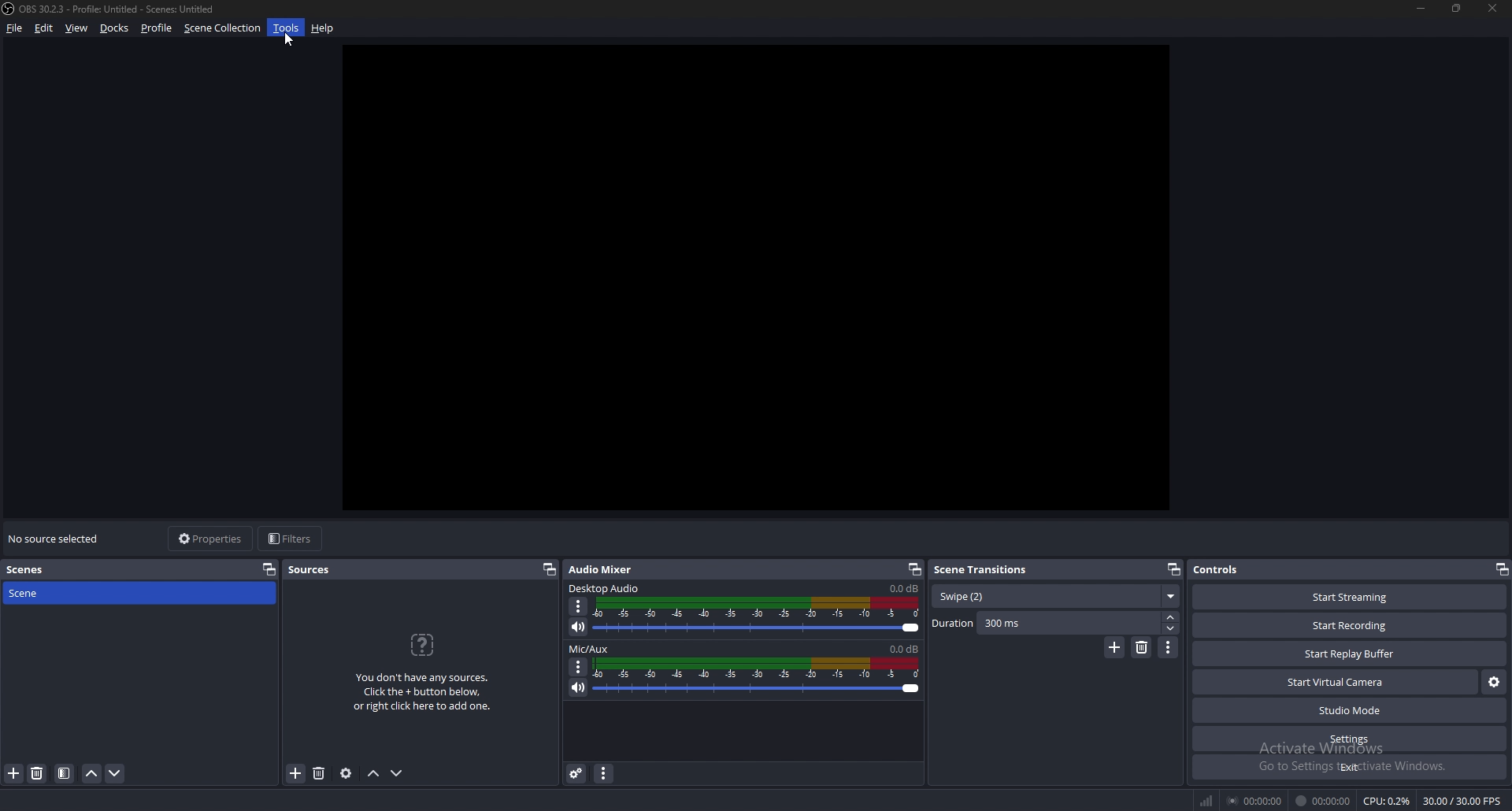 The width and height of the screenshot is (1512, 811). I want to click on resize, so click(1458, 8).